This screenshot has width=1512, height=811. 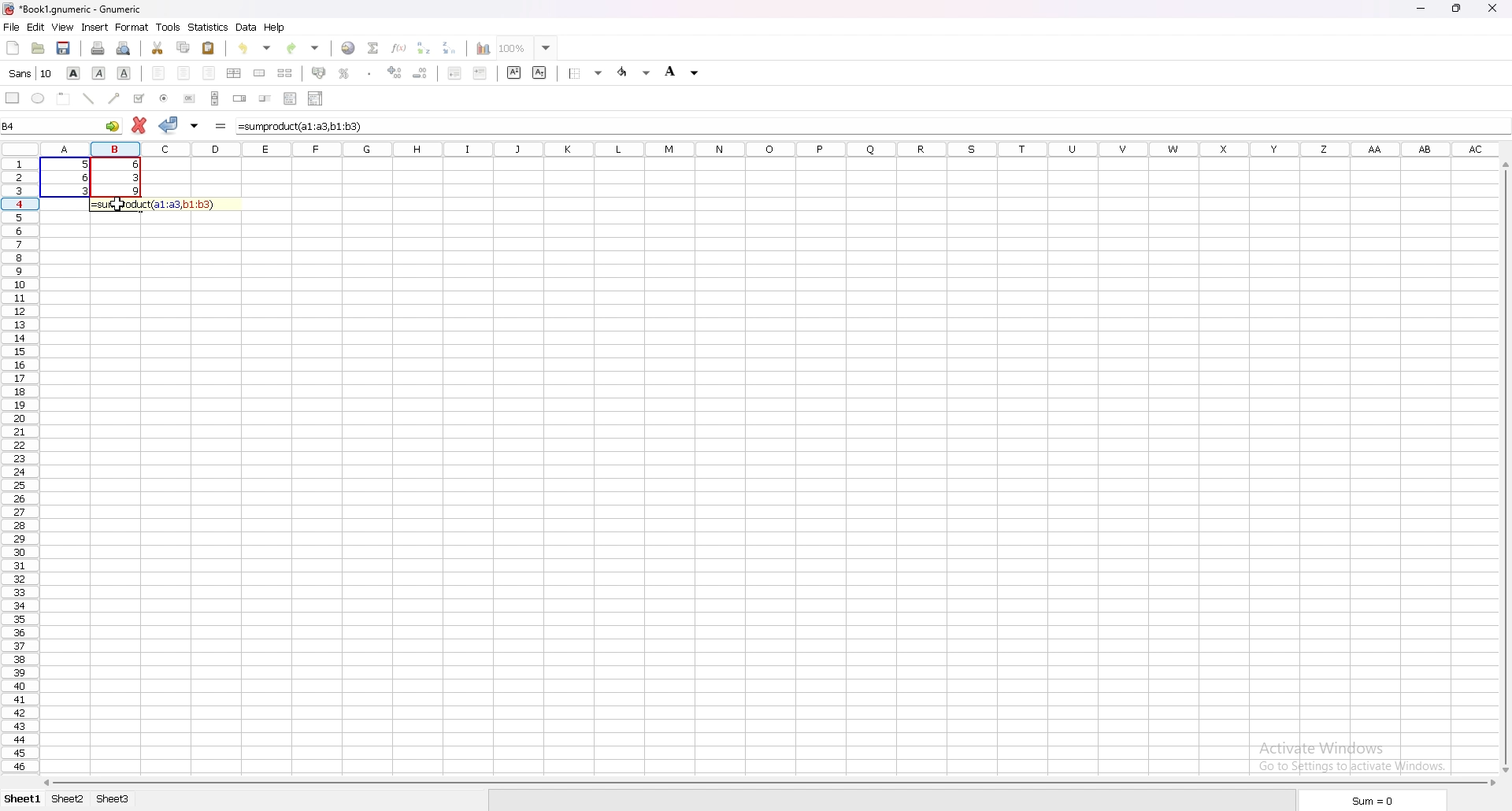 What do you see at coordinates (239, 98) in the screenshot?
I see `spin button` at bounding box center [239, 98].